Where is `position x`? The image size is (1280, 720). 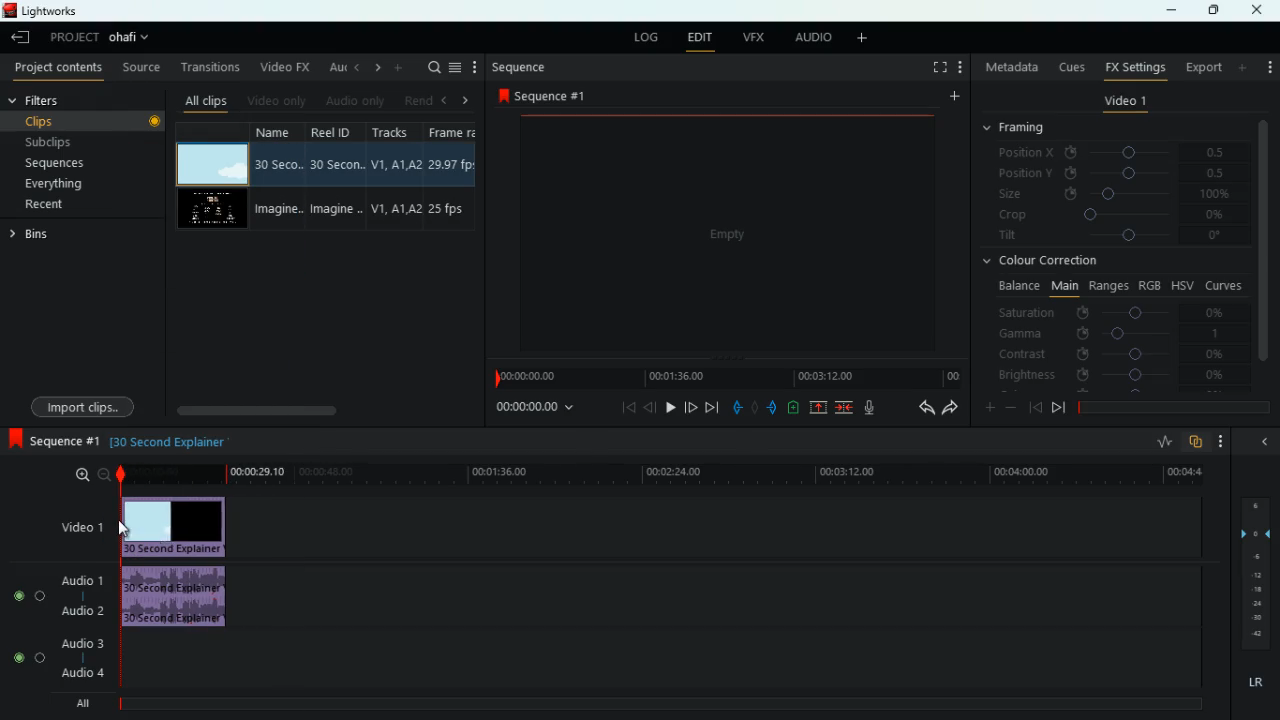
position x is located at coordinates (1116, 152).